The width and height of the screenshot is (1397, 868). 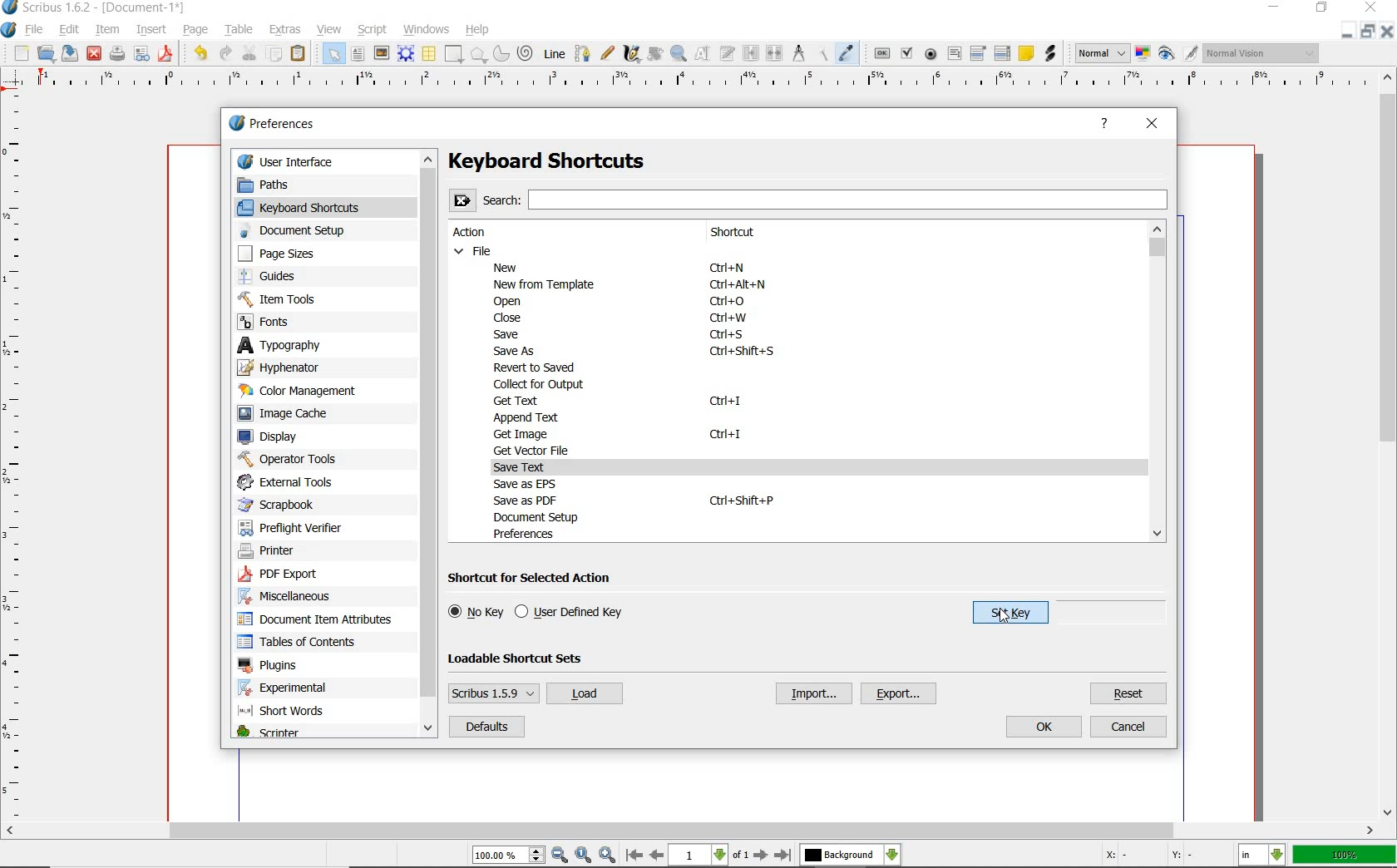 What do you see at coordinates (703, 53) in the screenshot?
I see `edit contents of frame` at bounding box center [703, 53].